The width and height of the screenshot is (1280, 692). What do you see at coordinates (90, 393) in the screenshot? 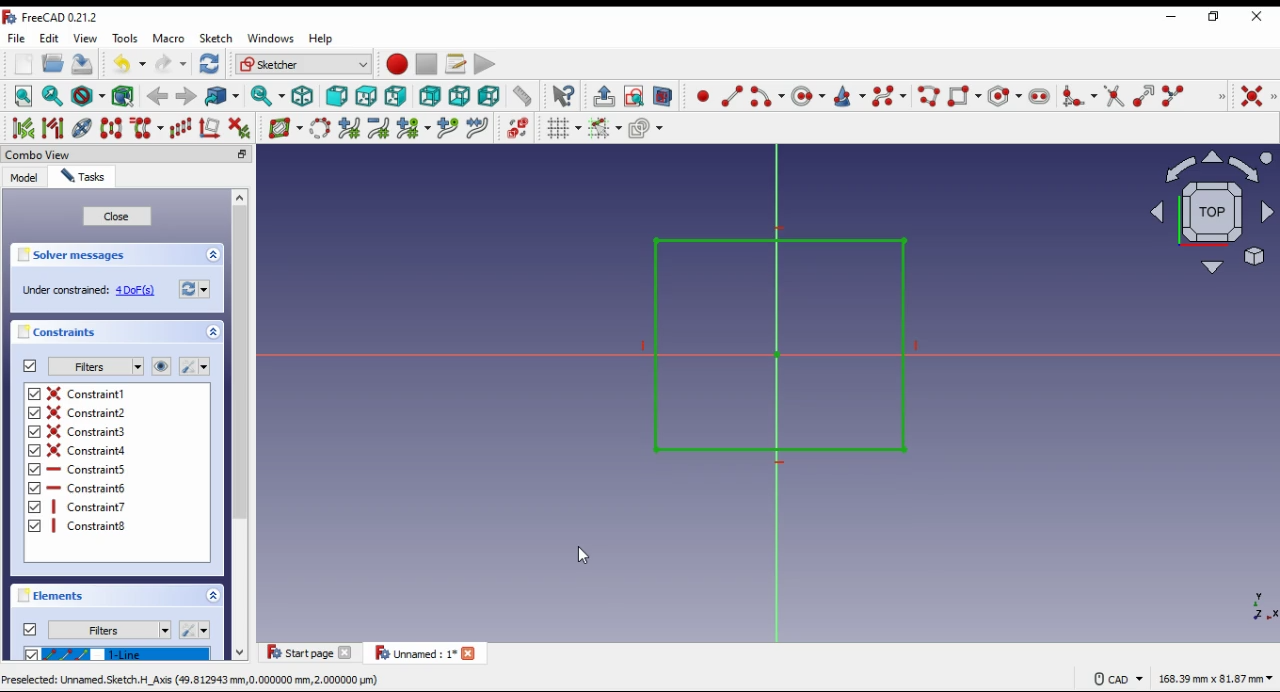
I see `on/off constraint 1` at bounding box center [90, 393].